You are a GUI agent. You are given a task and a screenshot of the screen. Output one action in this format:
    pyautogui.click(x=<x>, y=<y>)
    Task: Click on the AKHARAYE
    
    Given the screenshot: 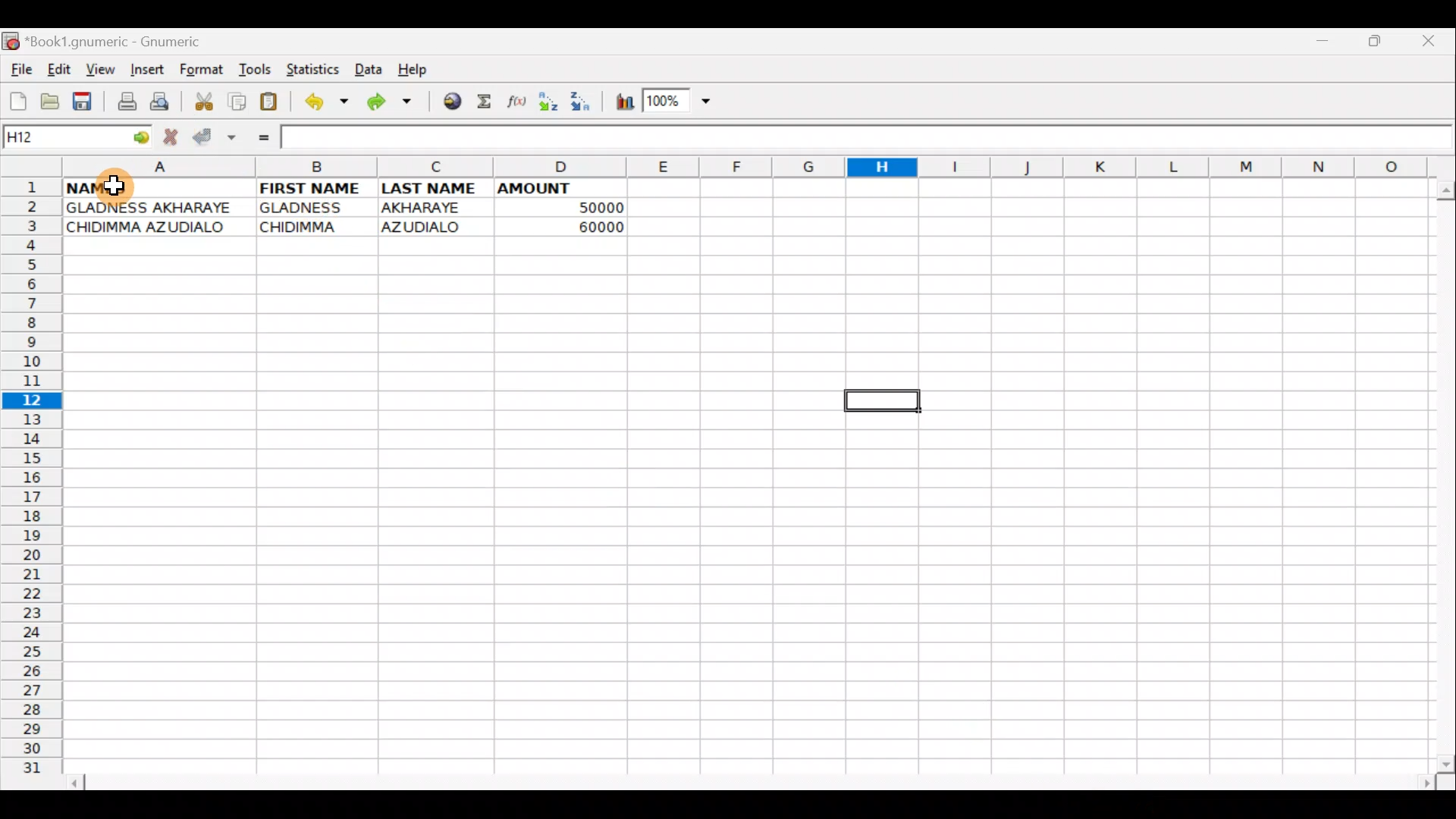 What is the action you would take?
    pyautogui.click(x=434, y=210)
    